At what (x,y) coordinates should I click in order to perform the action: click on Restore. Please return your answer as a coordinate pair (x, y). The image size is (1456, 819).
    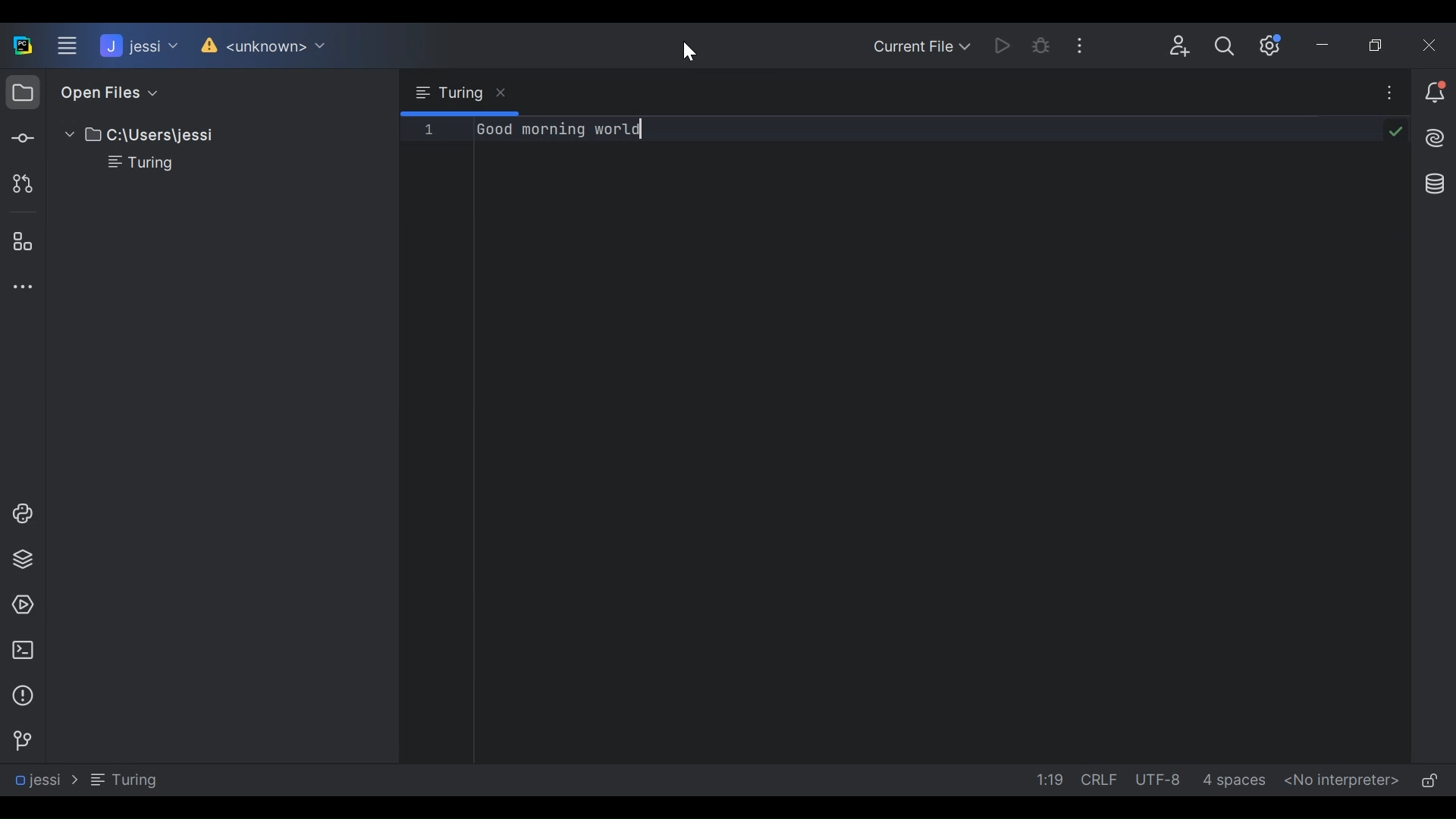
    Looking at the image, I should click on (1380, 45).